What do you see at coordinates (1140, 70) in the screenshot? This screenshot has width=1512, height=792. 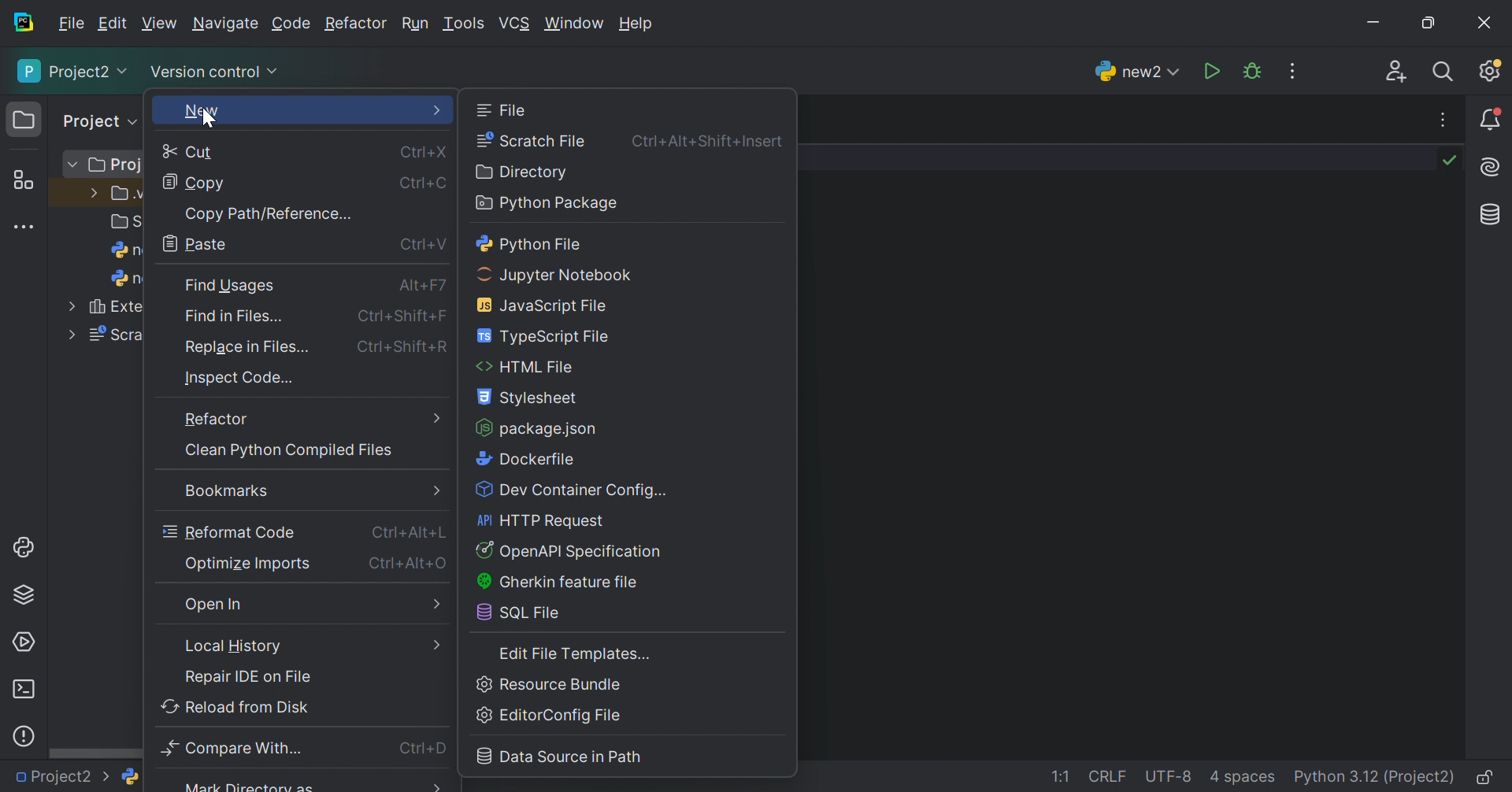 I see `new2` at bounding box center [1140, 70].